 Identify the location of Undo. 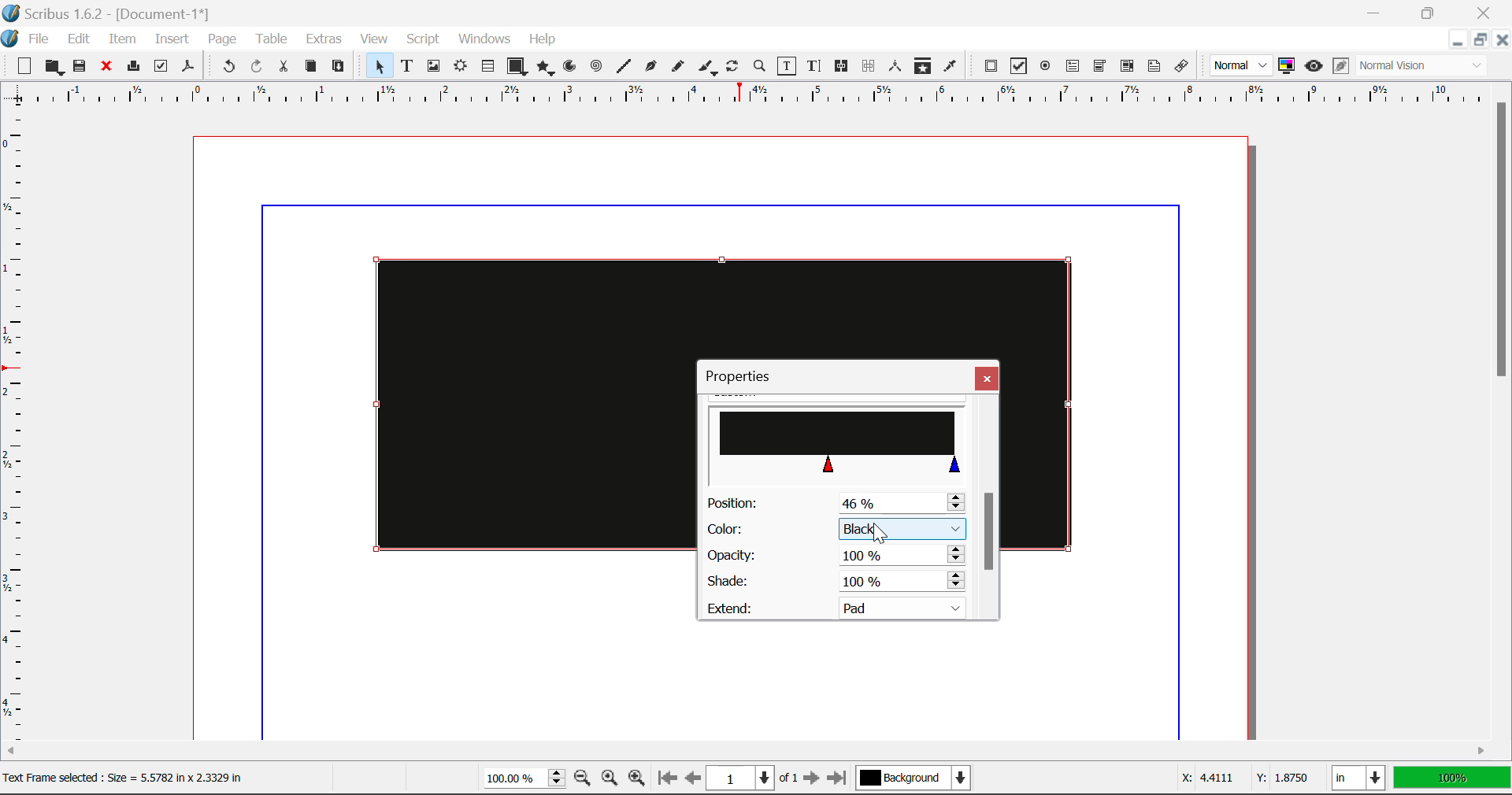
(228, 68).